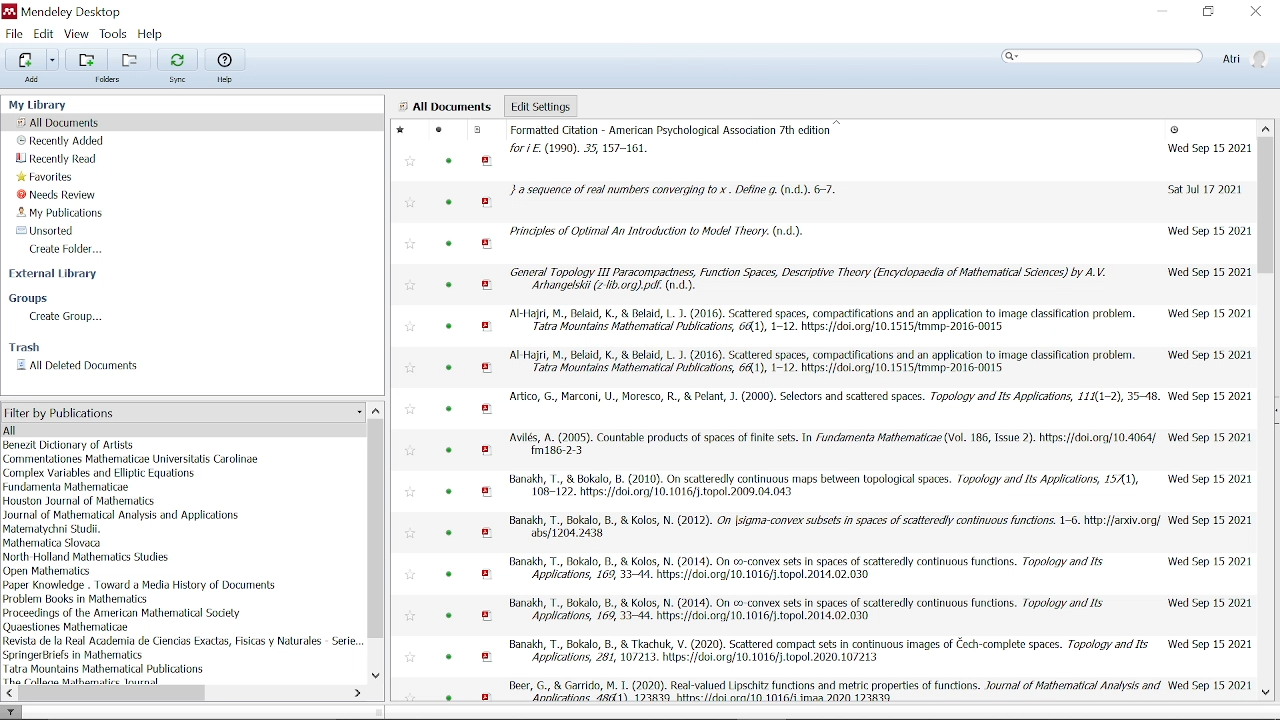  I want to click on pdf, so click(488, 326).